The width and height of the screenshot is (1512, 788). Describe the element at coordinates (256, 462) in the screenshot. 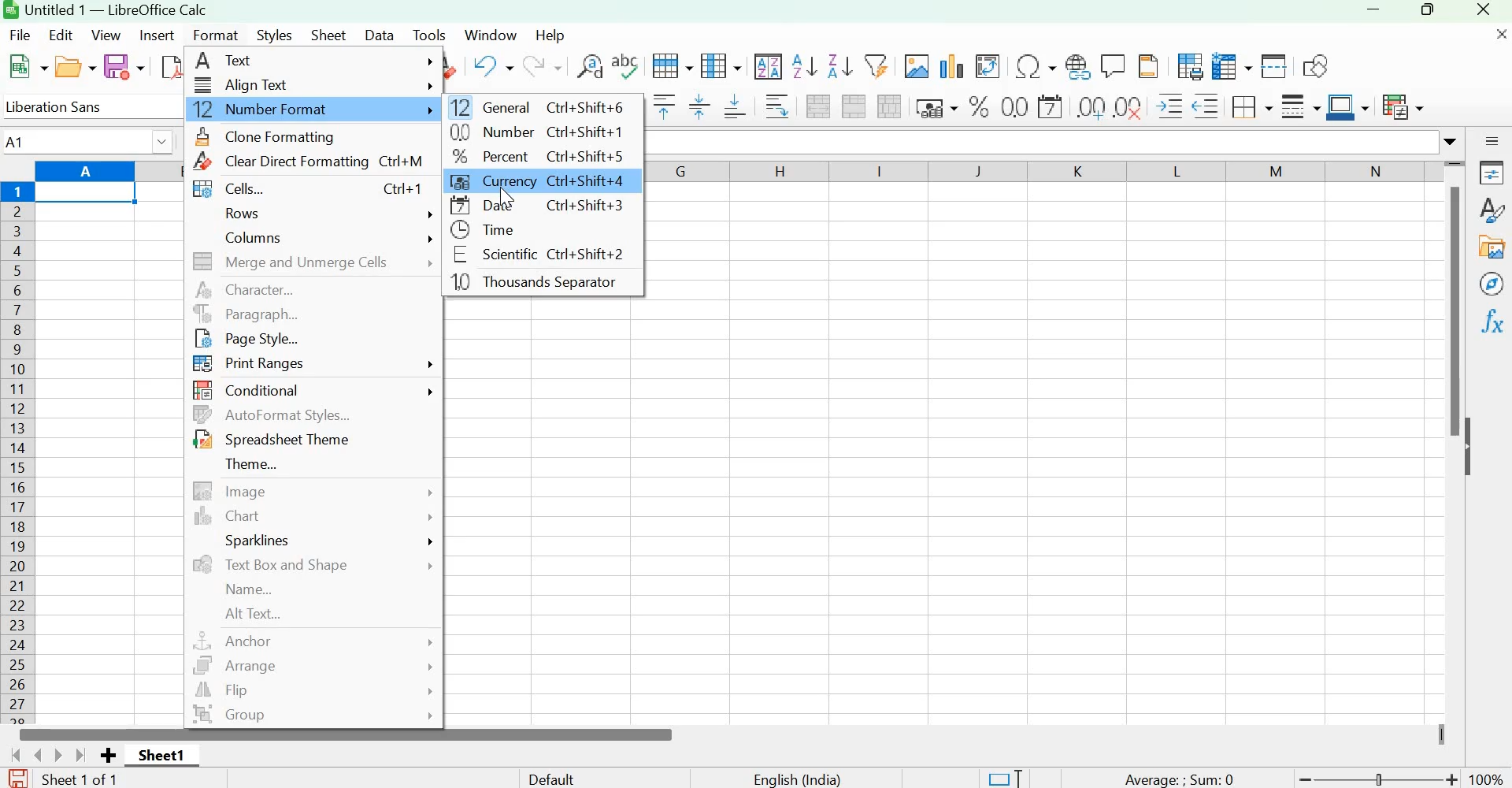

I see `Theme` at that location.